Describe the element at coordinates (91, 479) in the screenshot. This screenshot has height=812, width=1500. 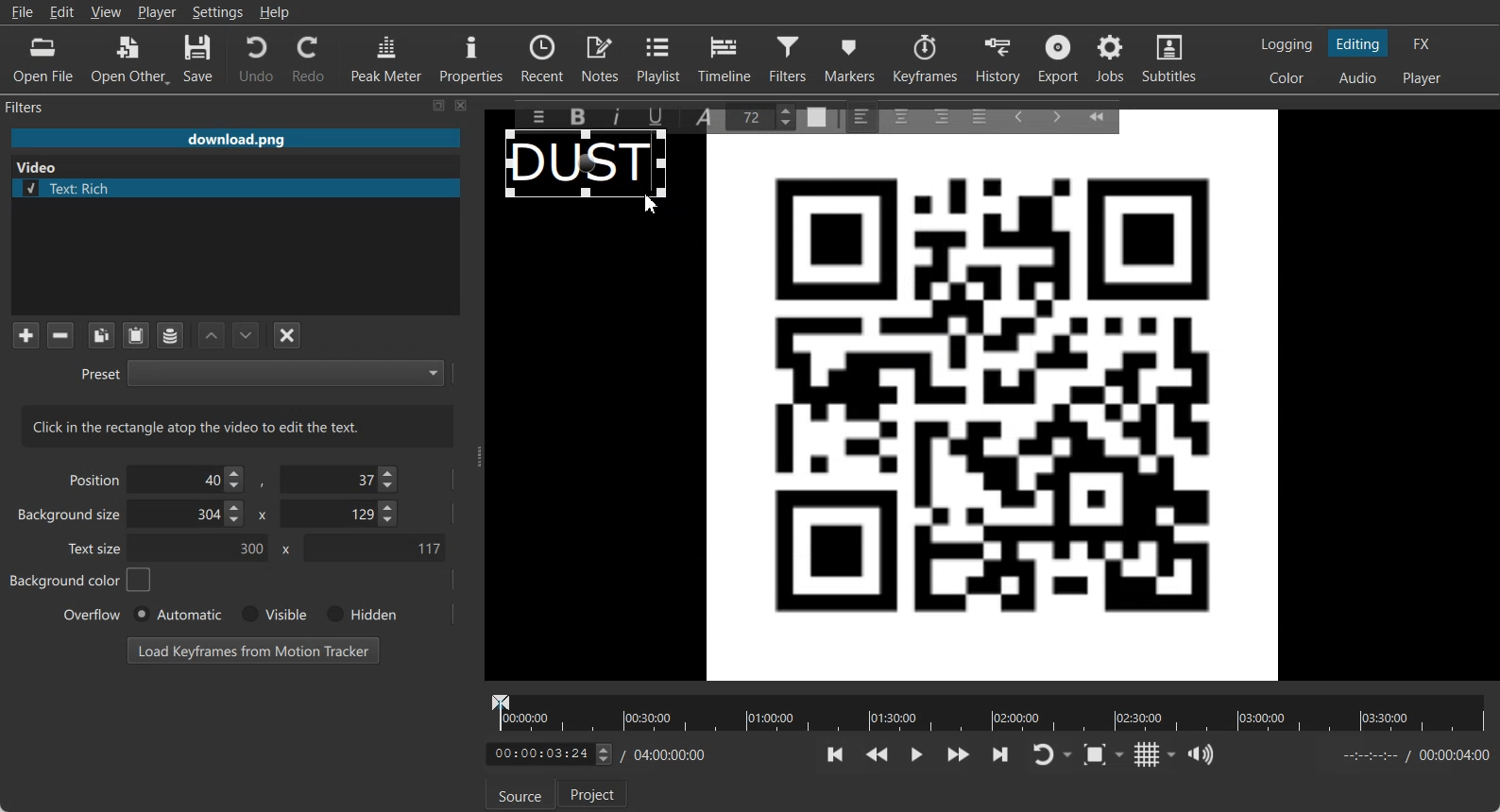
I see `Position` at that location.